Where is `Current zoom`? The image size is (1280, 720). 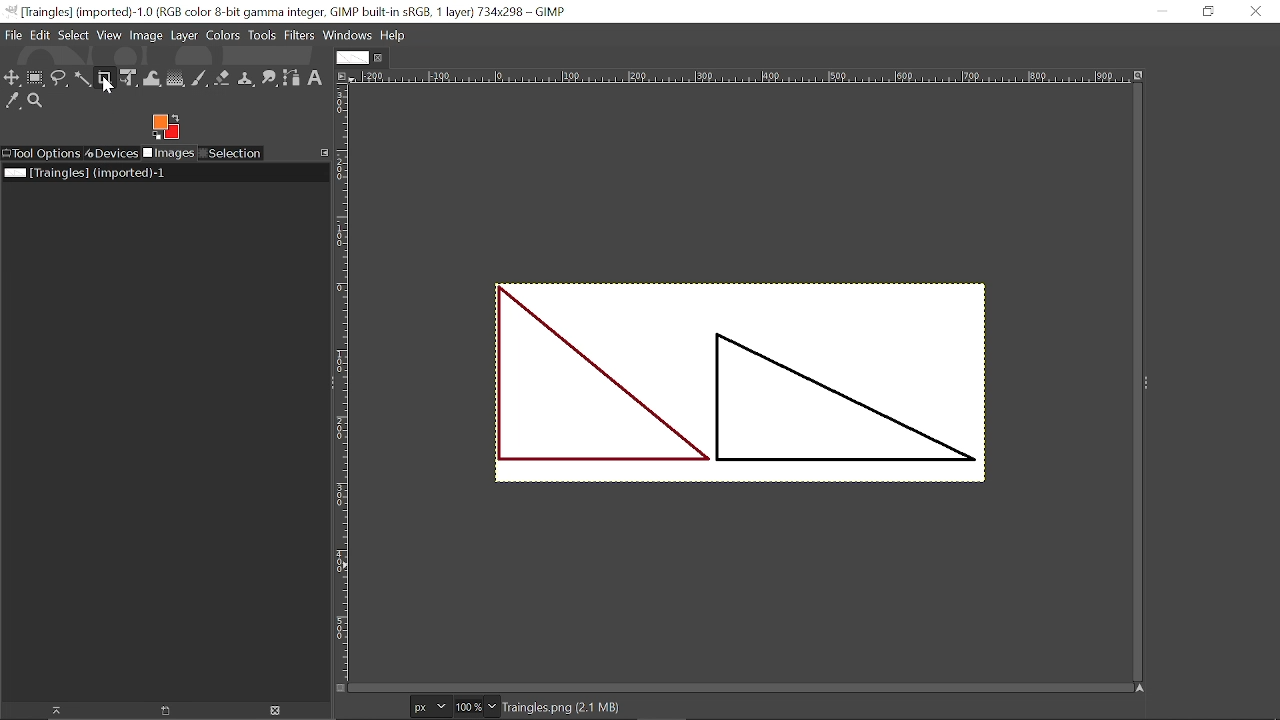
Current zoom is located at coordinates (467, 706).